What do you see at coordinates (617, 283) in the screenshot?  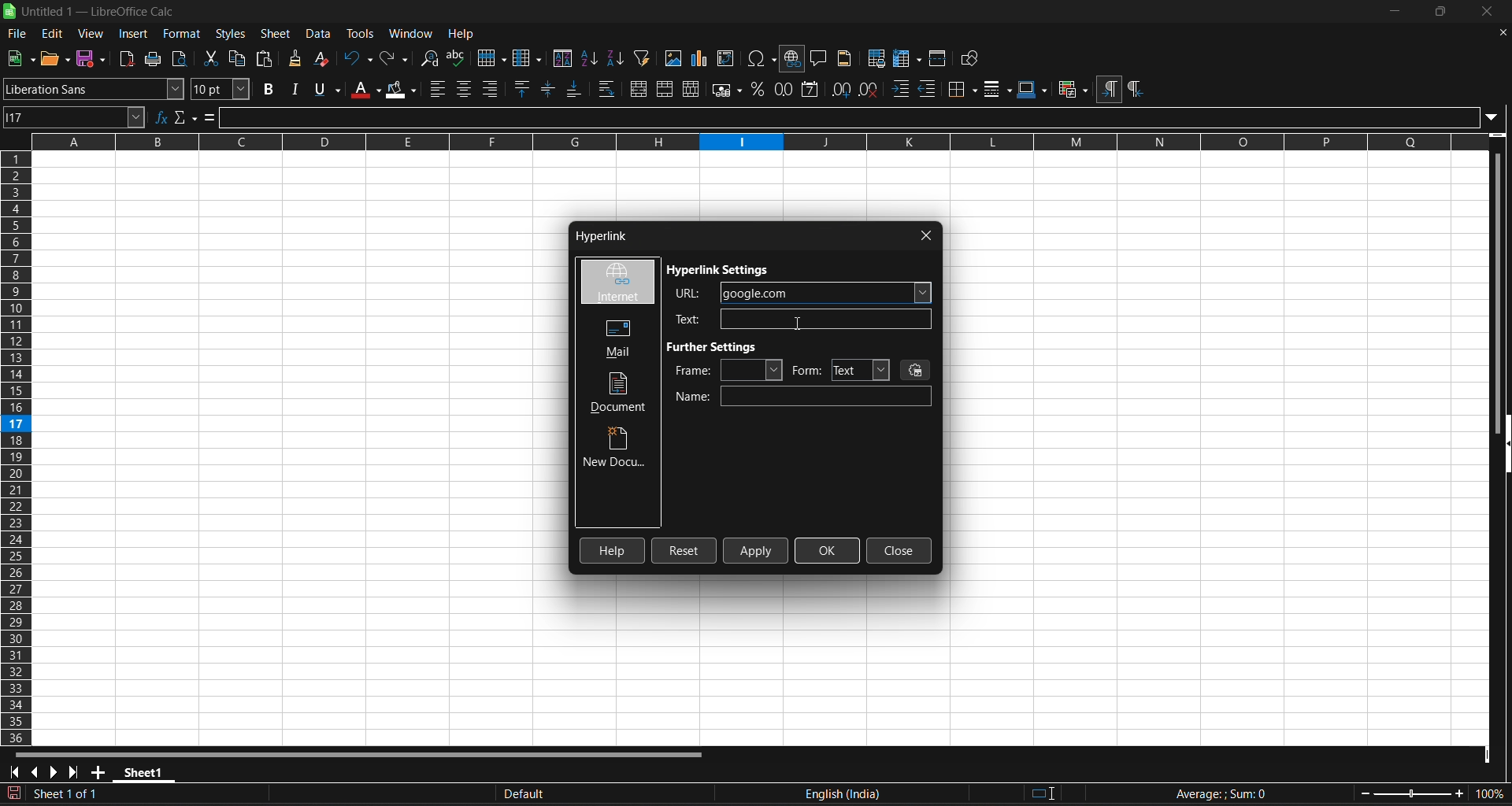 I see `internet` at bounding box center [617, 283].